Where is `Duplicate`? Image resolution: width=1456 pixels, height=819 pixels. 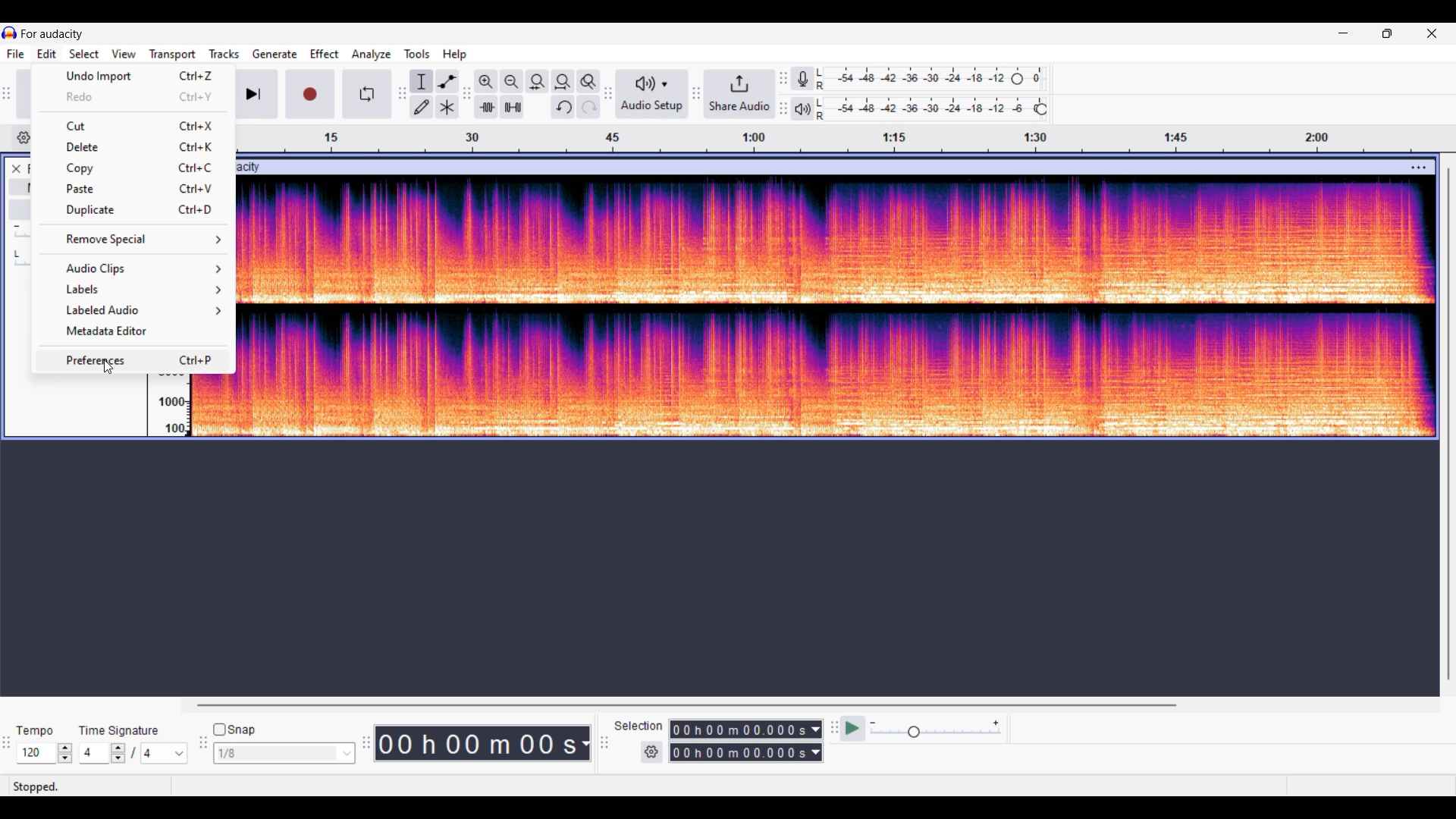 Duplicate is located at coordinates (134, 211).